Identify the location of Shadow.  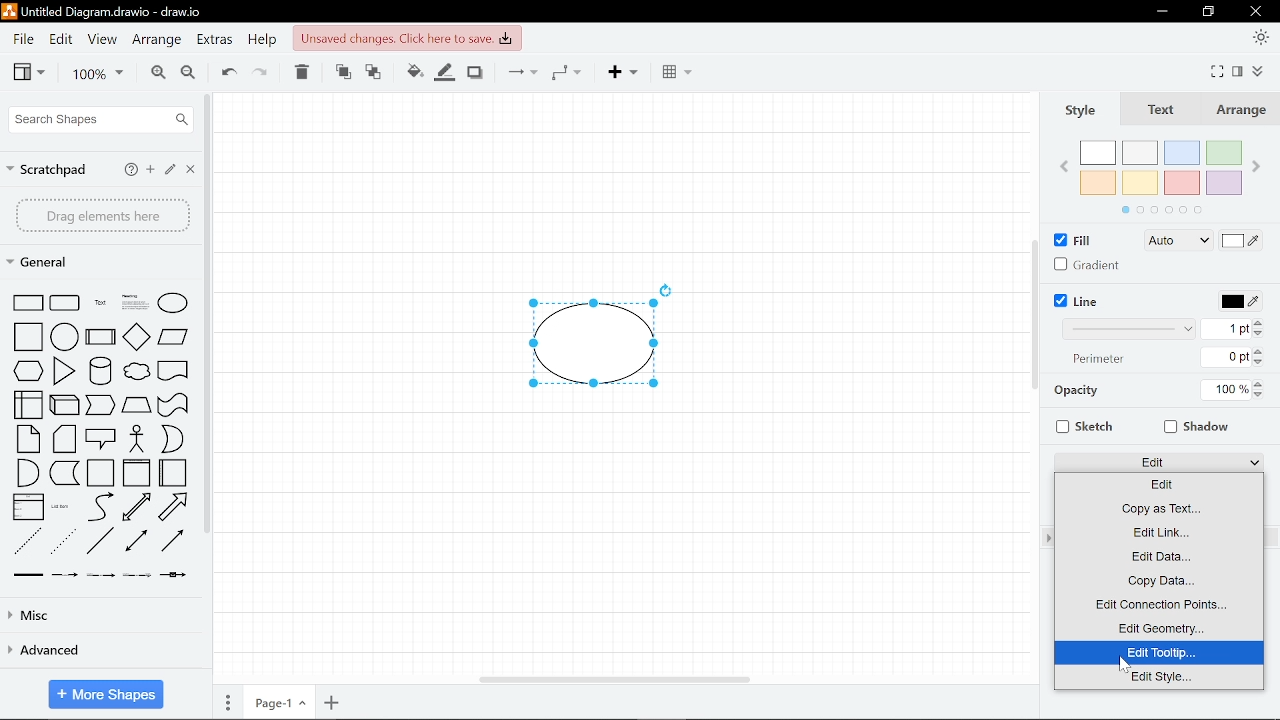
(474, 72).